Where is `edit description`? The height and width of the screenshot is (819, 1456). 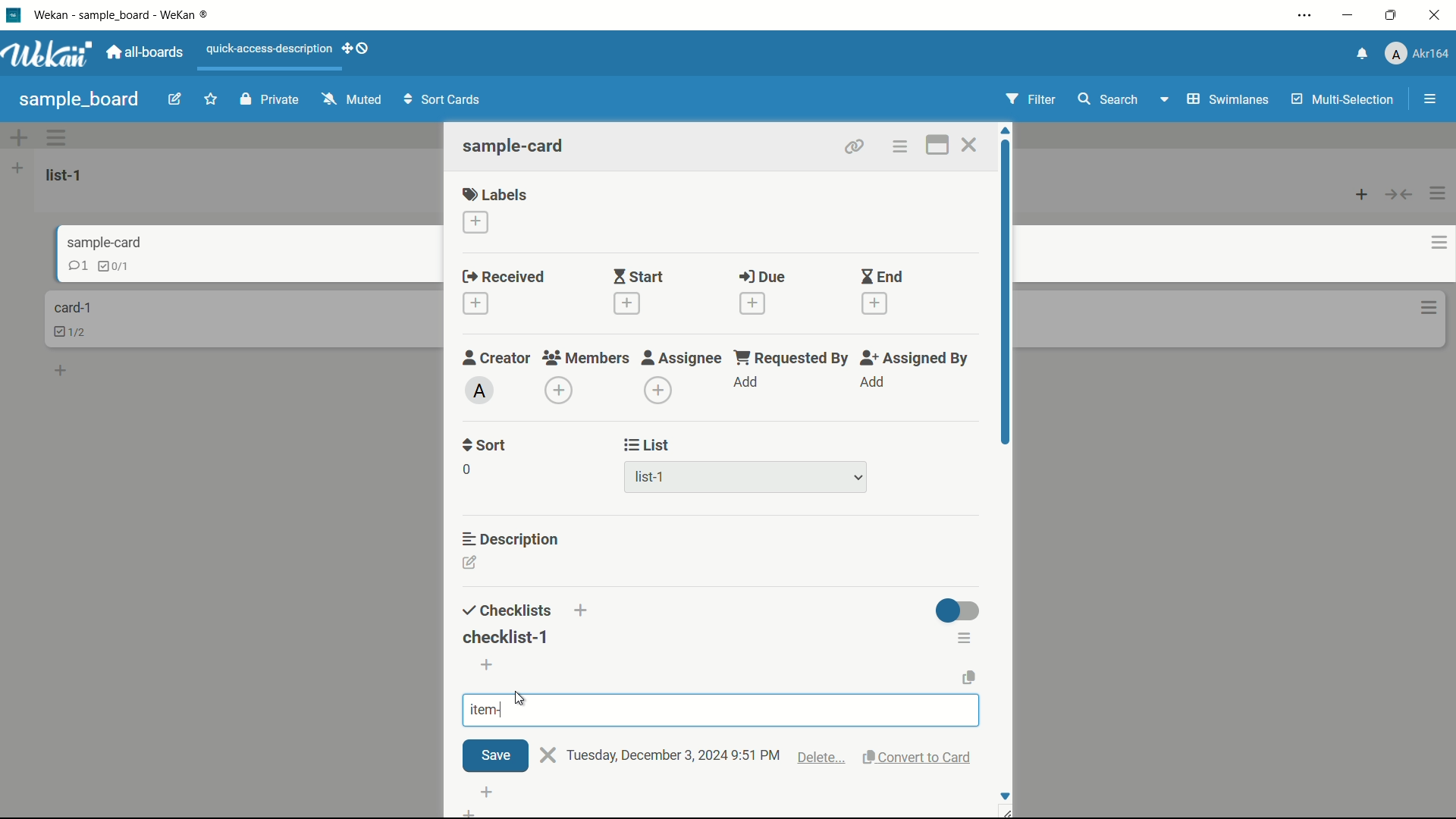 edit description is located at coordinates (471, 562).